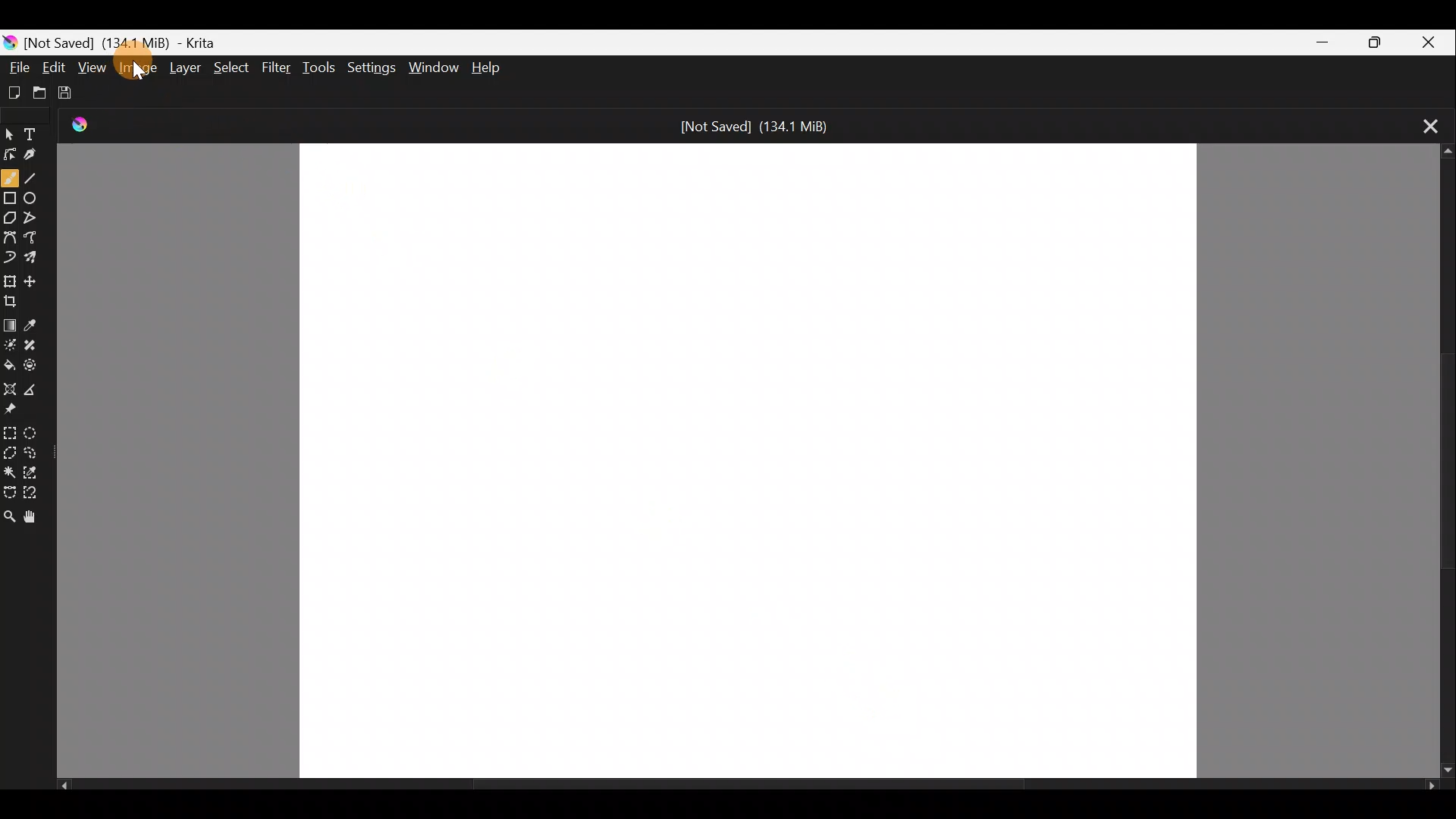 This screenshot has height=819, width=1456. What do you see at coordinates (36, 213) in the screenshot?
I see `Polyline tool` at bounding box center [36, 213].